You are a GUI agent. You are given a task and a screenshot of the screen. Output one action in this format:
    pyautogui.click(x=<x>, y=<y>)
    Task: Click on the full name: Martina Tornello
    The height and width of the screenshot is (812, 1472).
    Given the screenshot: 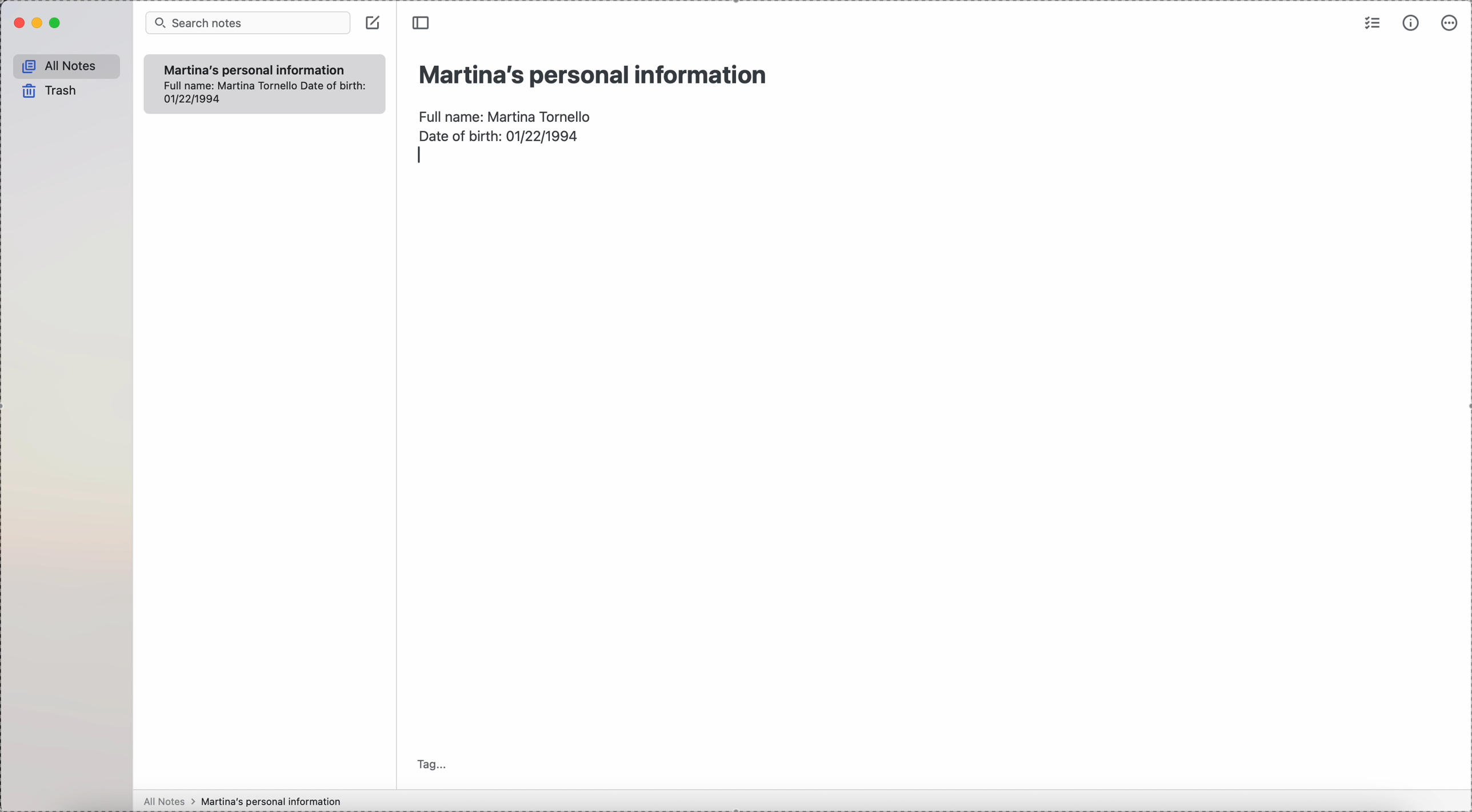 What is the action you would take?
    pyautogui.click(x=507, y=114)
    